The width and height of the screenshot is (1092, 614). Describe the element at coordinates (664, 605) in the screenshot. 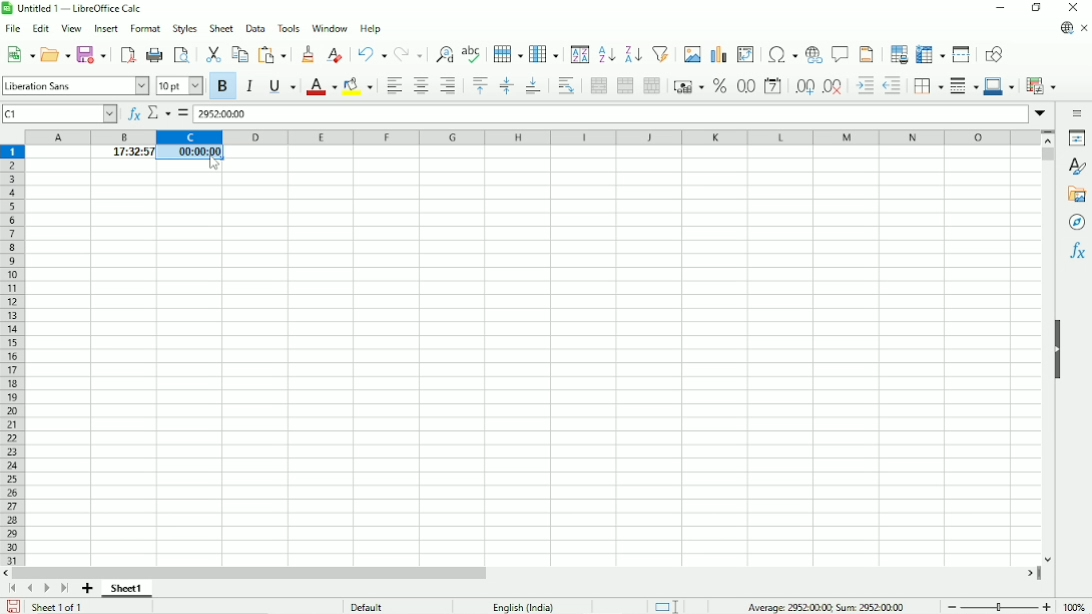

I see `Standard selection` at that location.